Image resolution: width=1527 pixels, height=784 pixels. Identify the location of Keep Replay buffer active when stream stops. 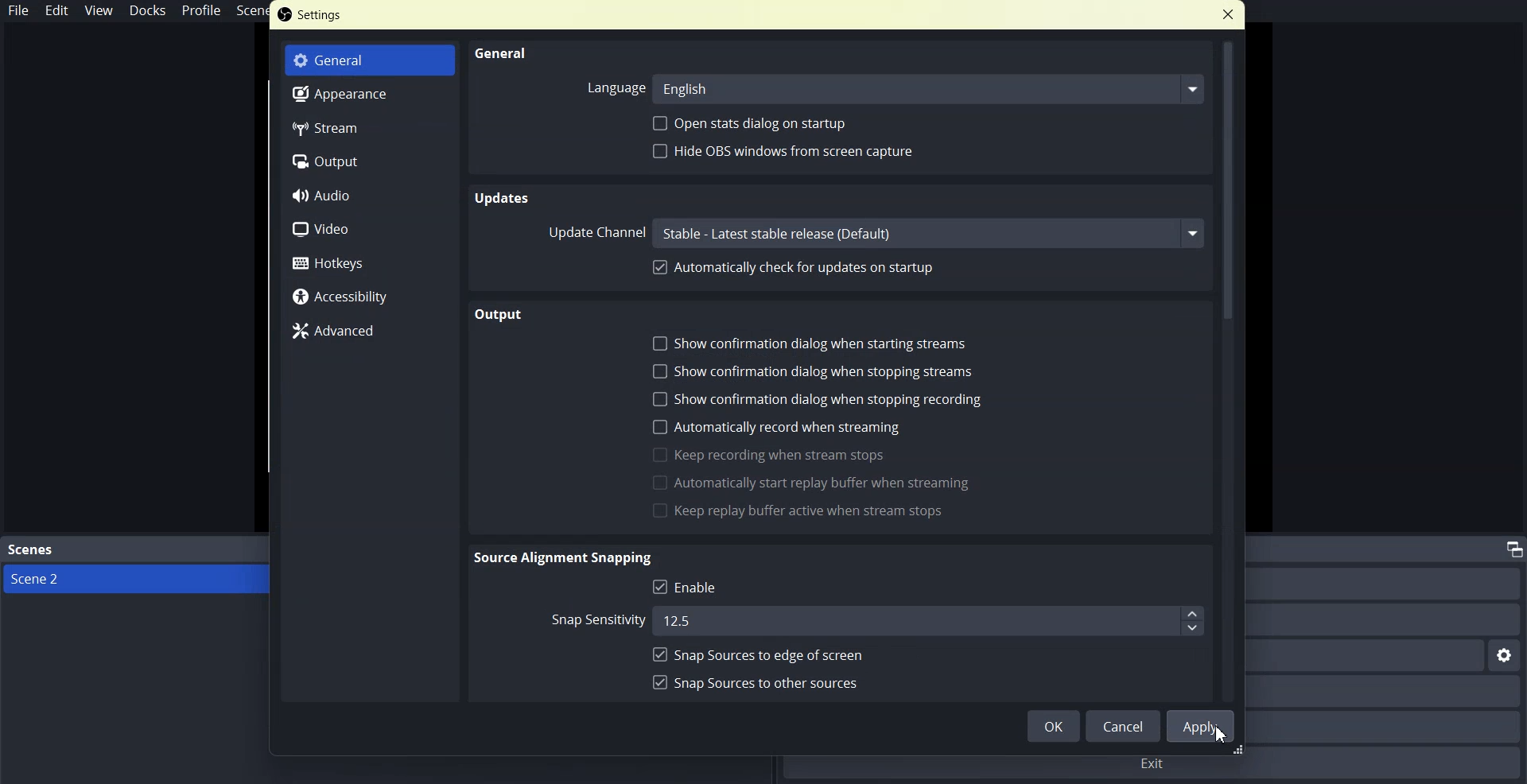
(796, 512).